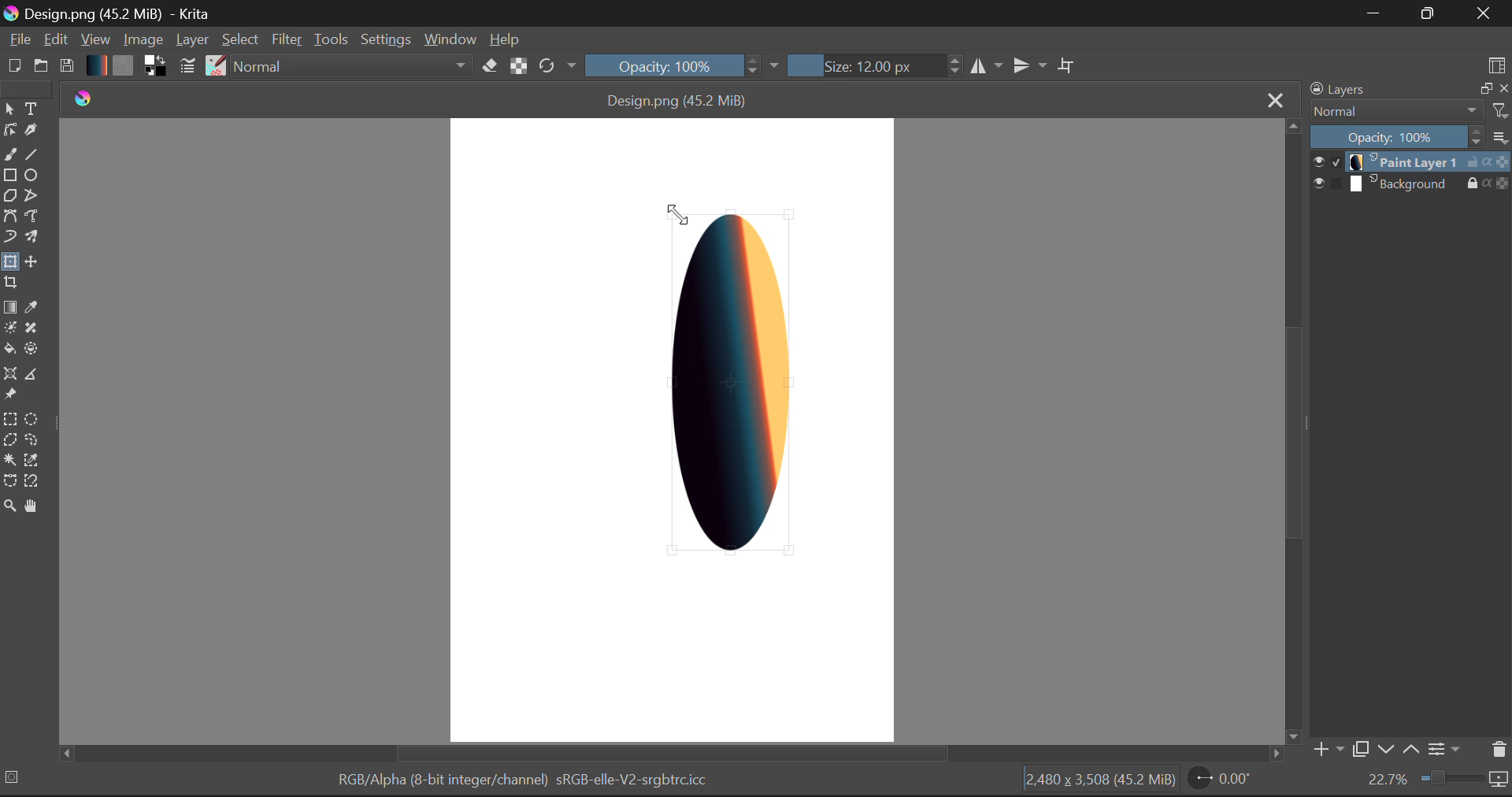 This screenshot has width=1512, height=797. What do you see at coordinates (9, 306) in the screenshot?
I see `Gradient Fill` at bounding box center [9, 306].